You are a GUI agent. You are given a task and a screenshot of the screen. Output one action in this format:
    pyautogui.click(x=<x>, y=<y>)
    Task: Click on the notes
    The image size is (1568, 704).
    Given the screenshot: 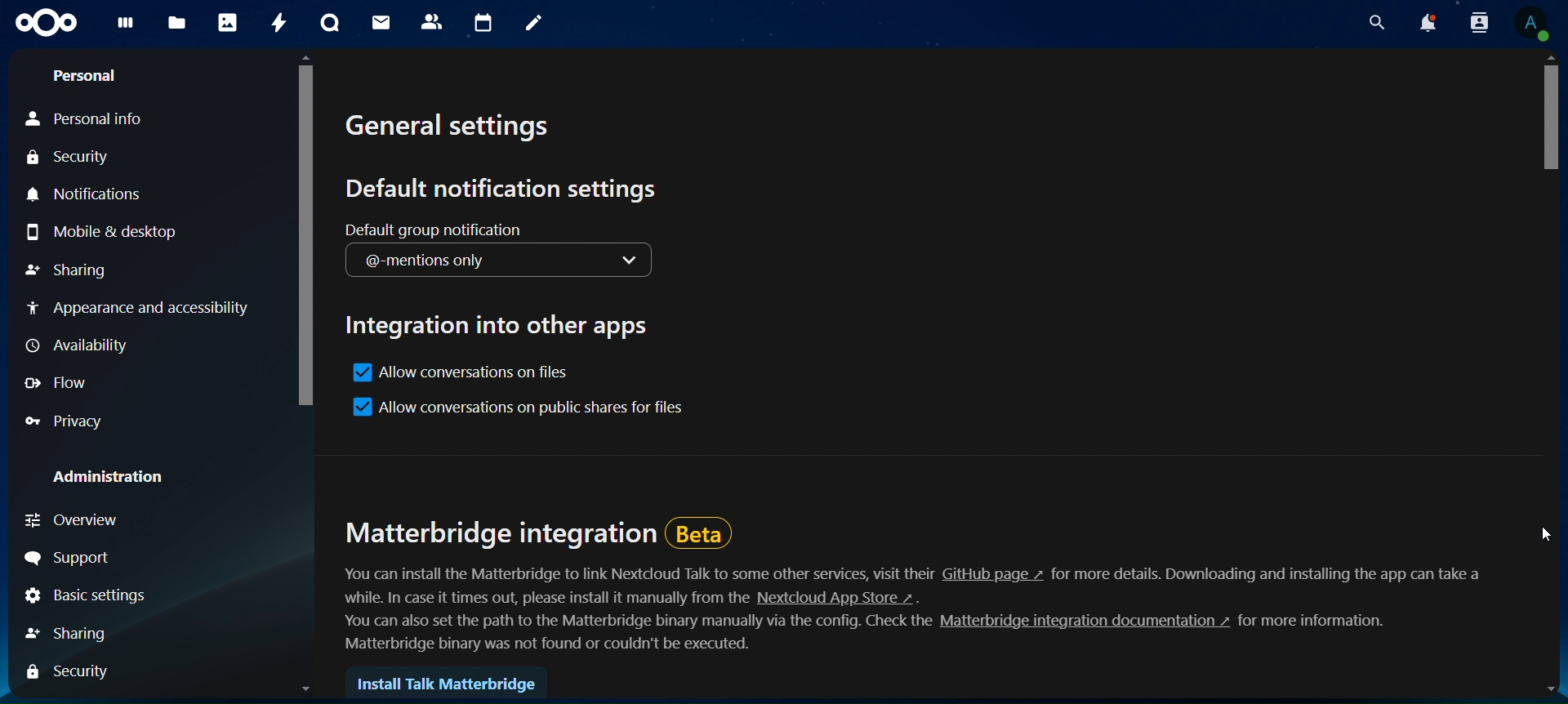 What is the action you would take?
    pyautogui.click(x=535, y=24)
    